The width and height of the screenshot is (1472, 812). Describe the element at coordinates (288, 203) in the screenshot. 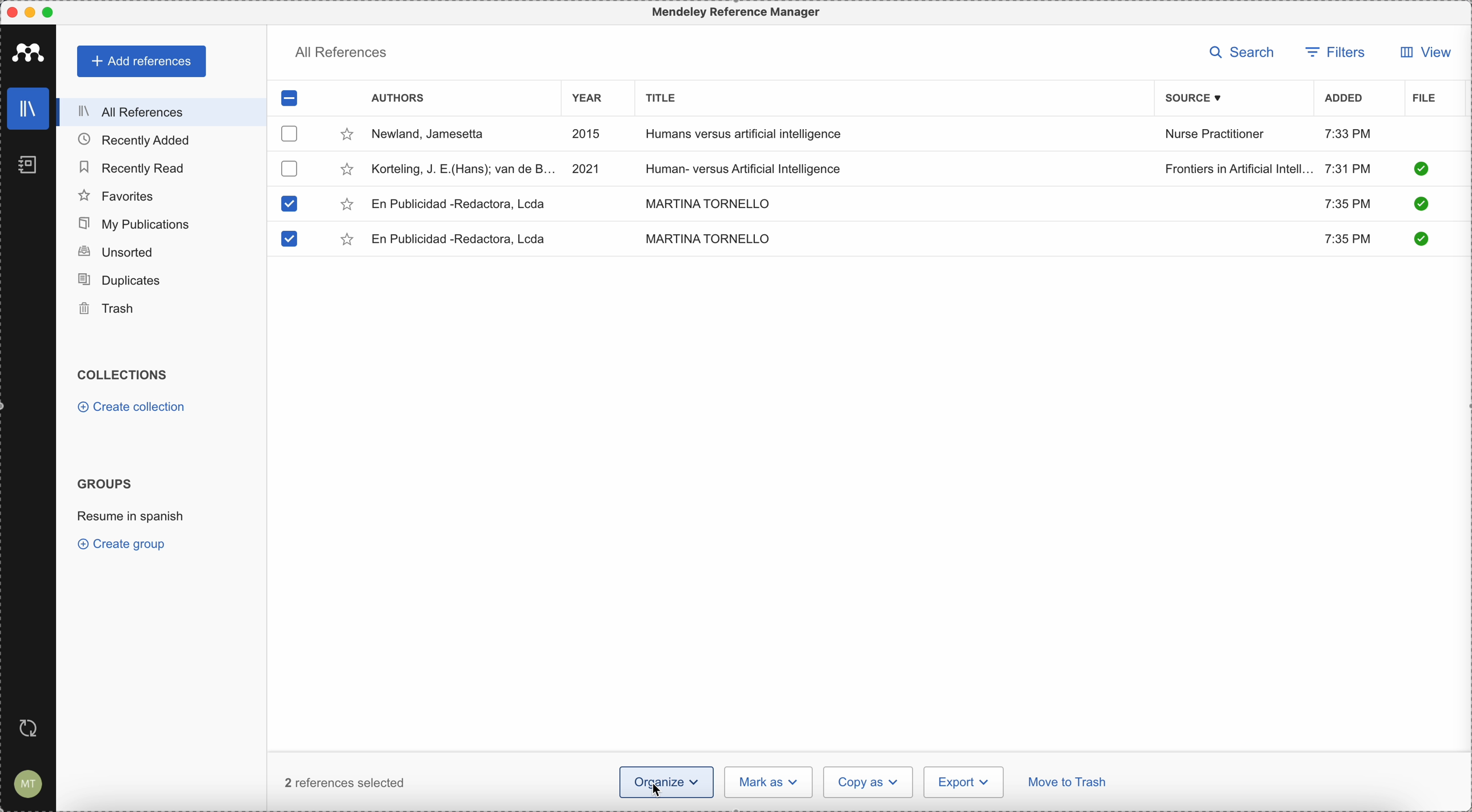

I see `checkbox selected` at that location.